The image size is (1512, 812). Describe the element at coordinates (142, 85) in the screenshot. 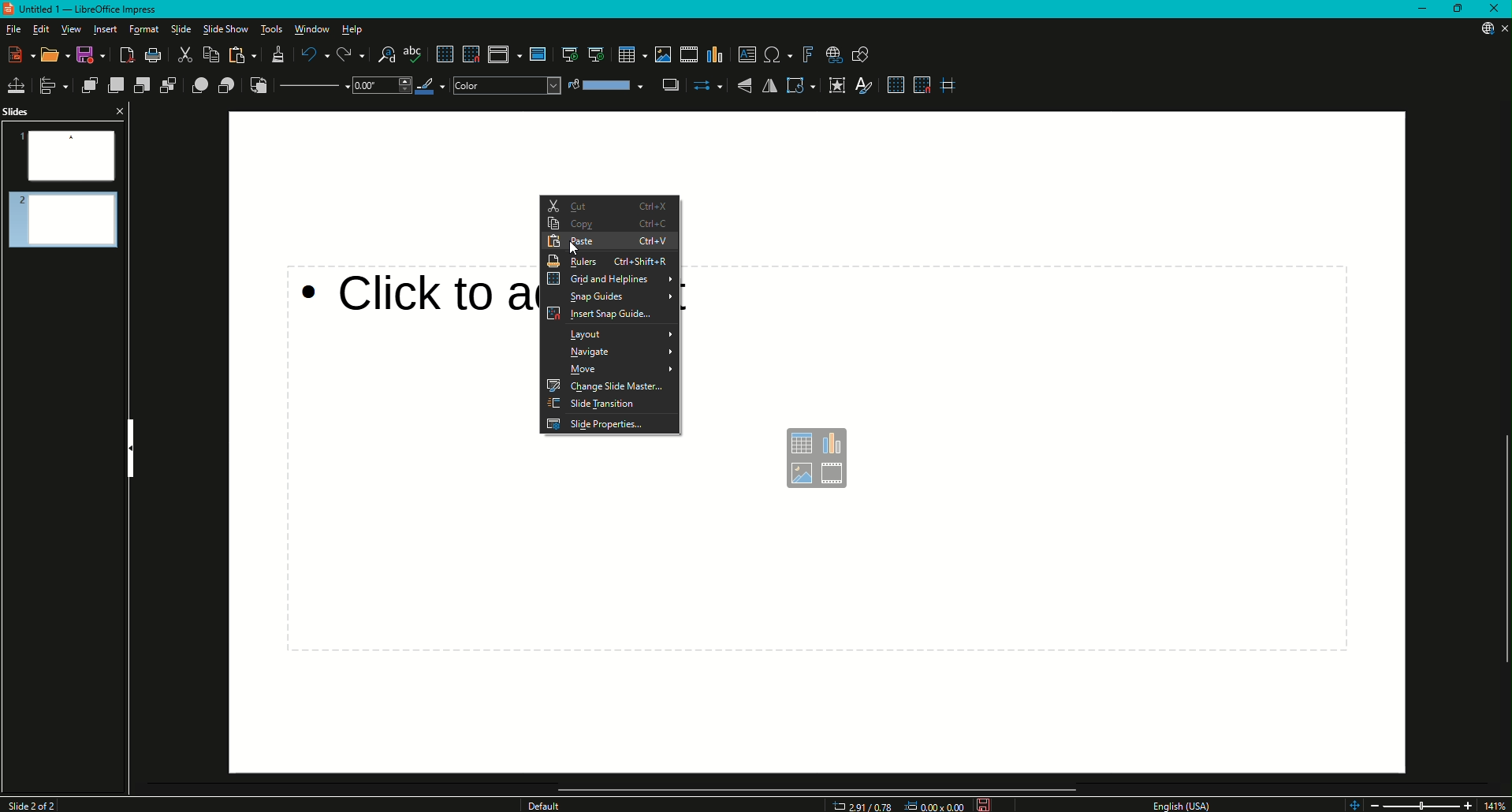

I see `Send Backward` at that location.